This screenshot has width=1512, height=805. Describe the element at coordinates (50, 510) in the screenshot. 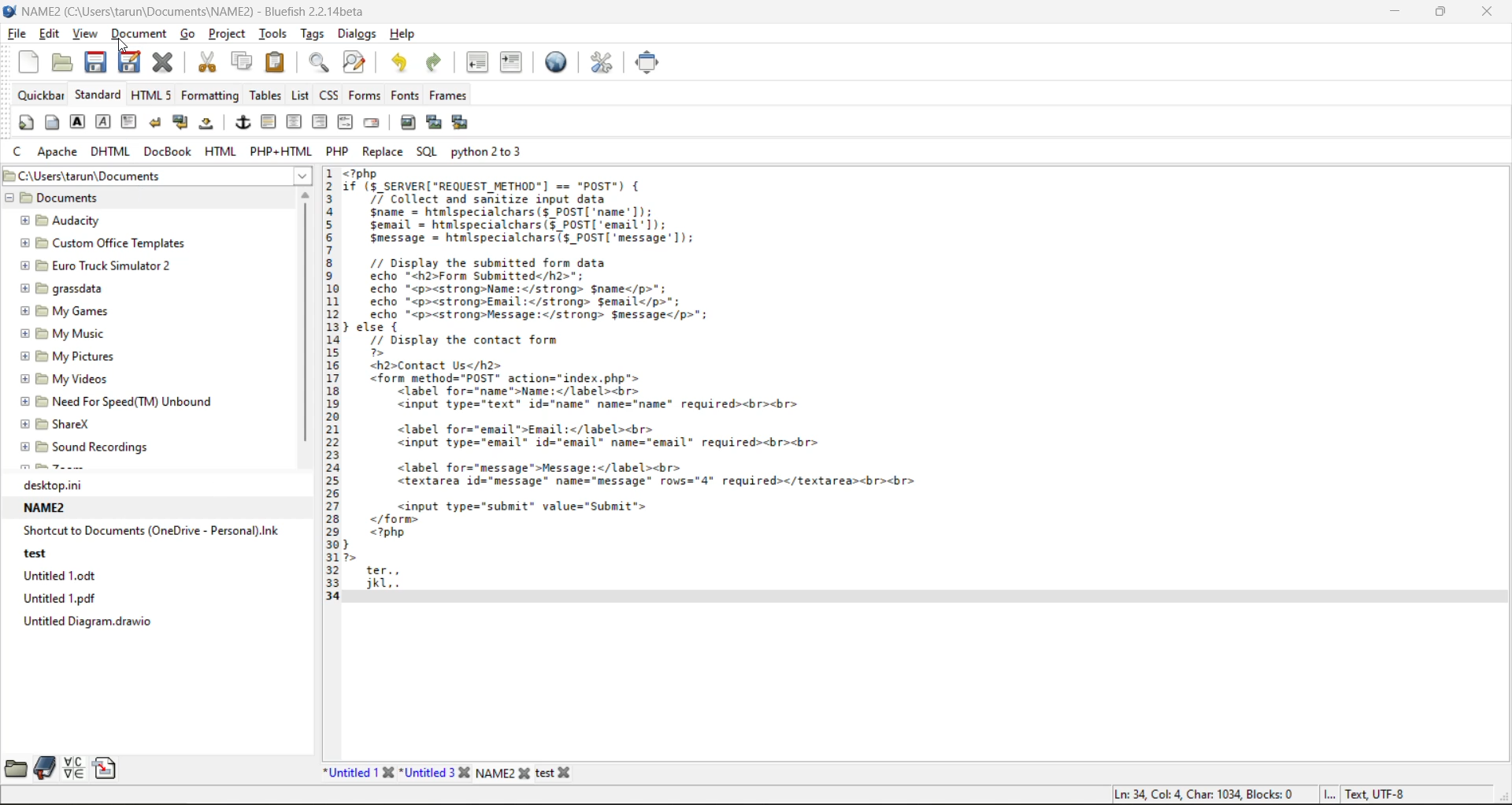

I see `name2` at that location.